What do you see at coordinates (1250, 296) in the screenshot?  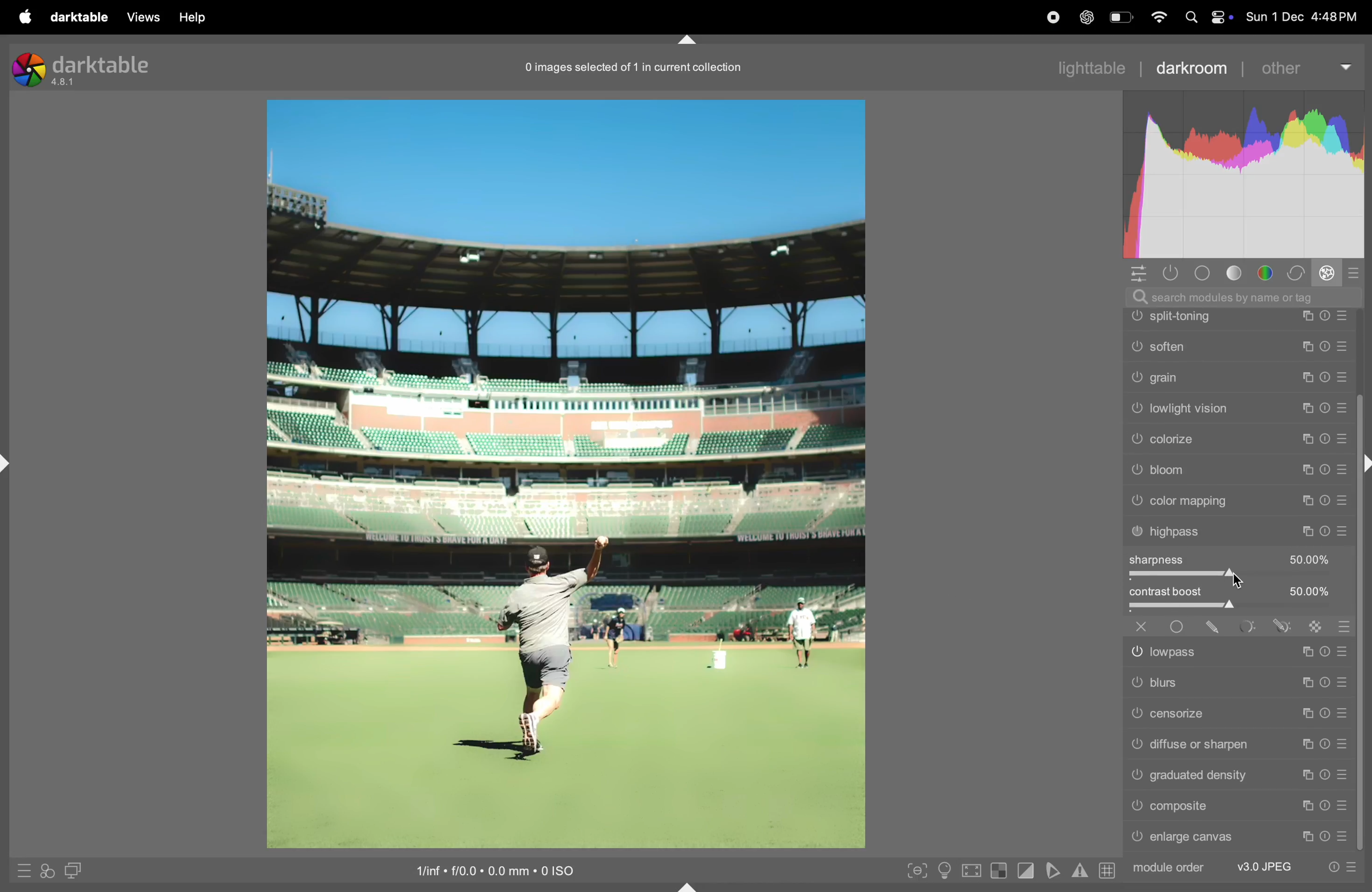 I see `searchbar` at bounding box center [1250, 296].